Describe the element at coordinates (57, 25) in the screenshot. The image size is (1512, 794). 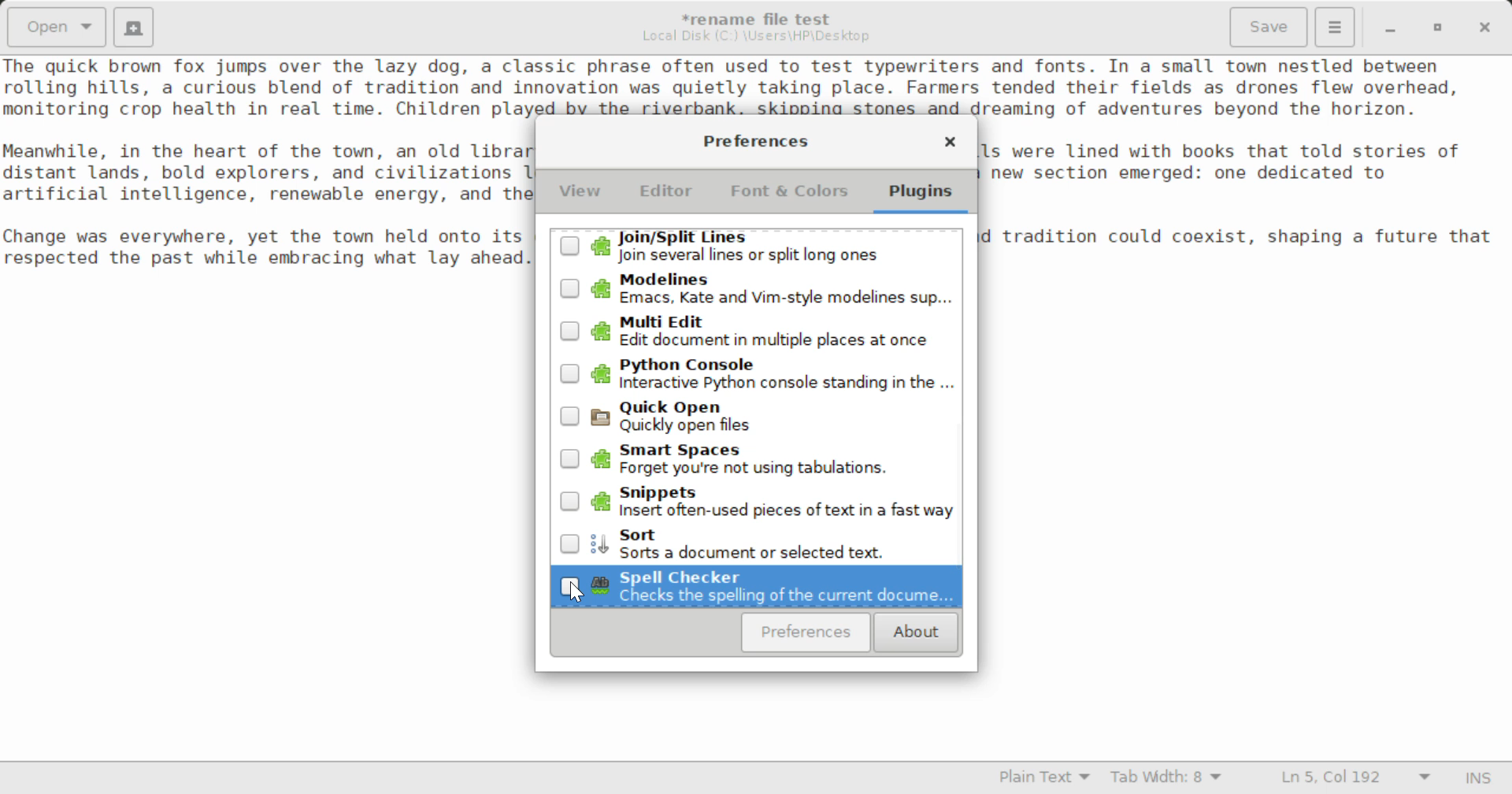
I see `Open Document` at that location.